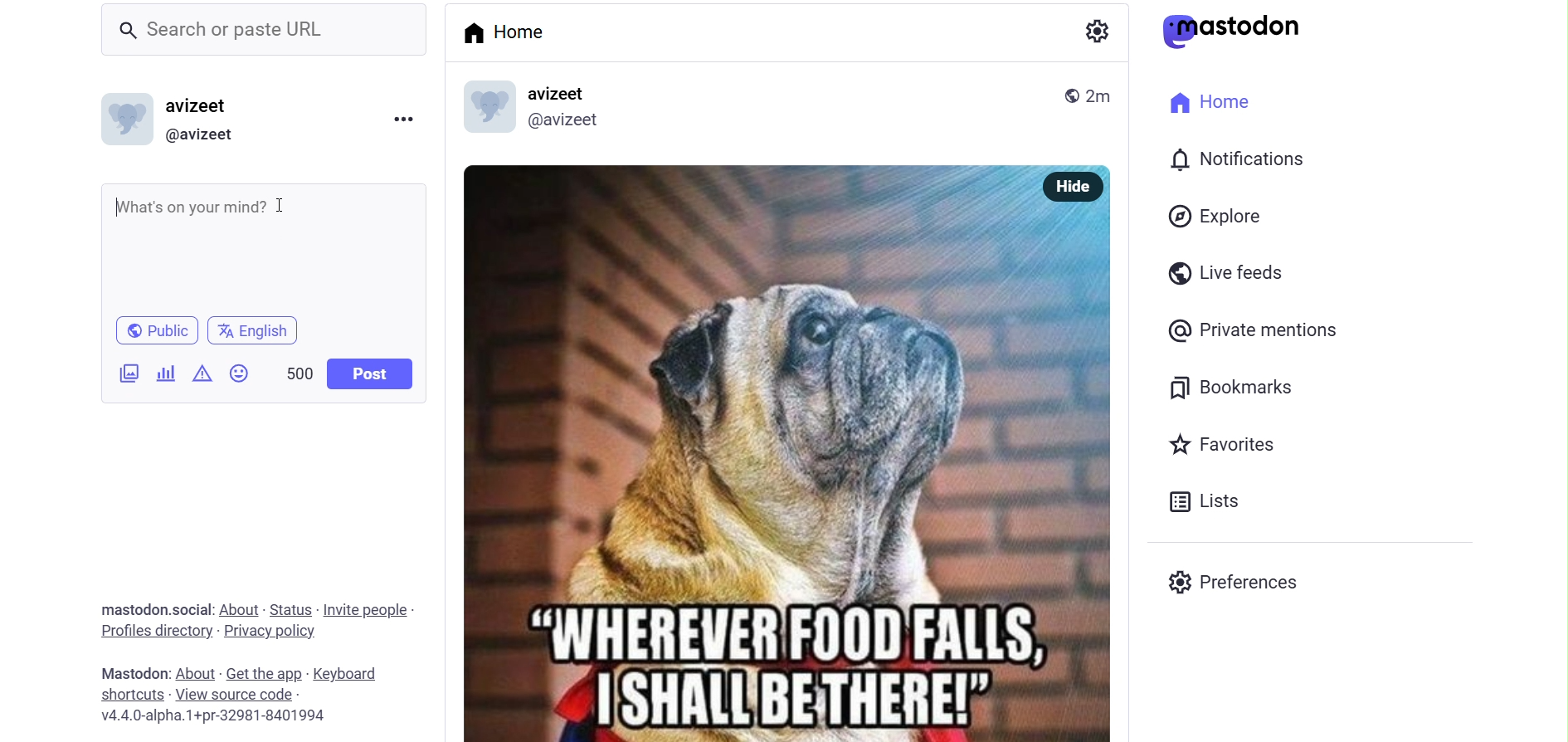 The width and height of the screenshot is (1568, 742). Describe the element at coordinates (404, 118) in the screenshot. I see `more` at that location.